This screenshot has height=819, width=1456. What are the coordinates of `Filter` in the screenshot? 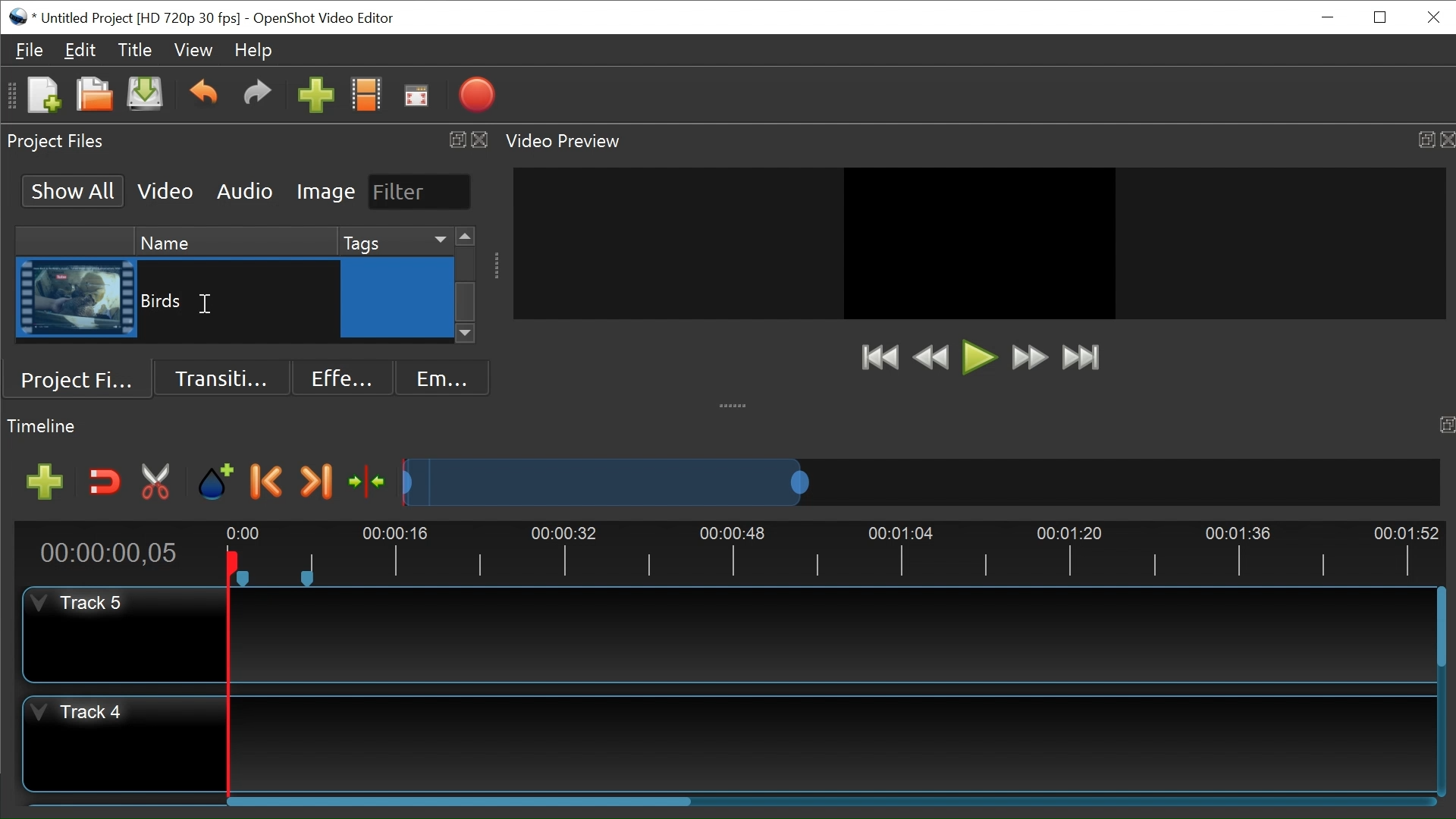 It's located at (418, 191).